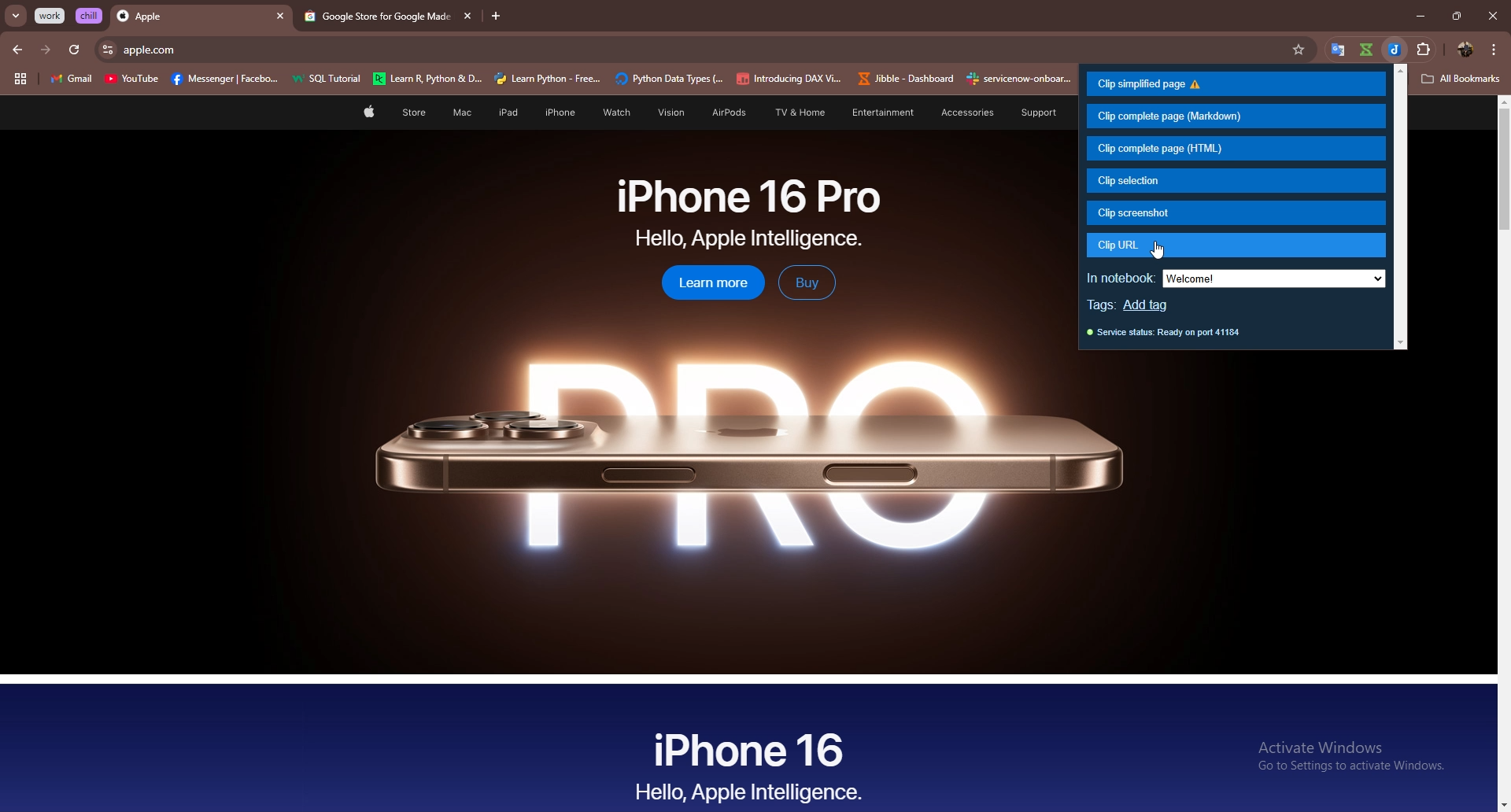 The image size is (1511, 812). I want to click on clip complete page(markdown), so click(1234, 116).